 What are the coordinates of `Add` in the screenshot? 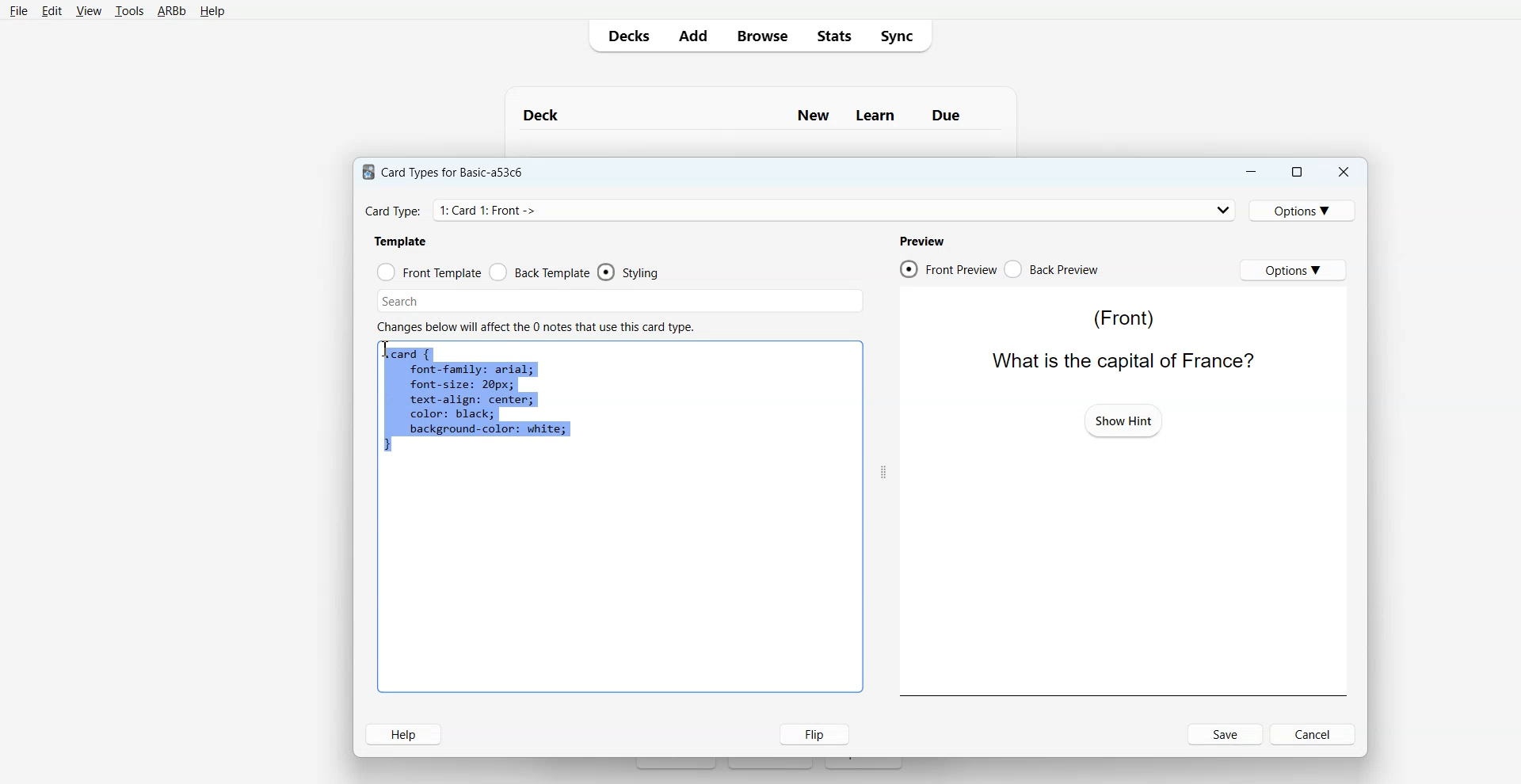 It's located at (692, 36).